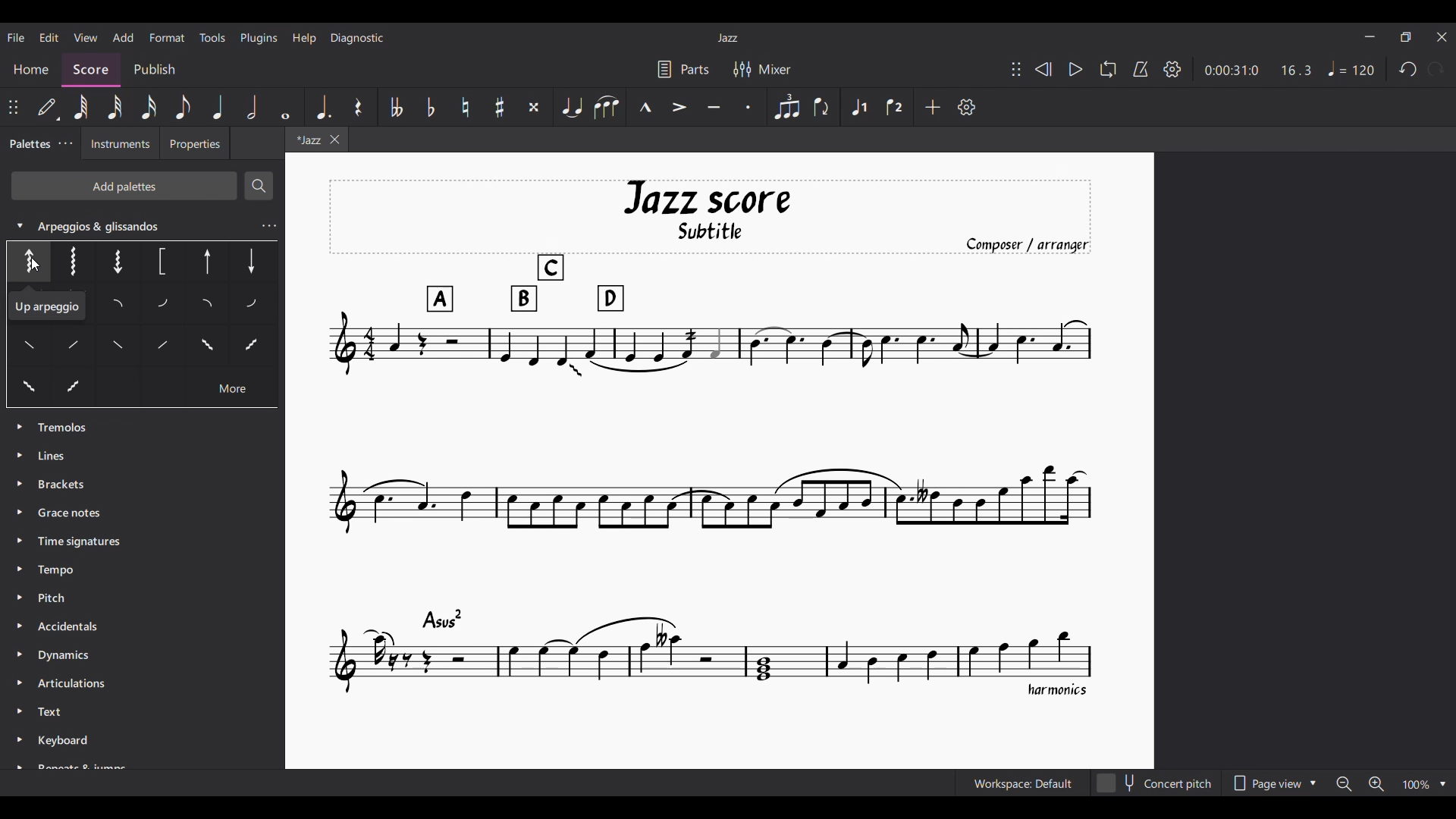 This screenshot has height=819, width=1456. Describe the element at coordinates (168, 37) in the screenshot. I see `Format menu` at that location.